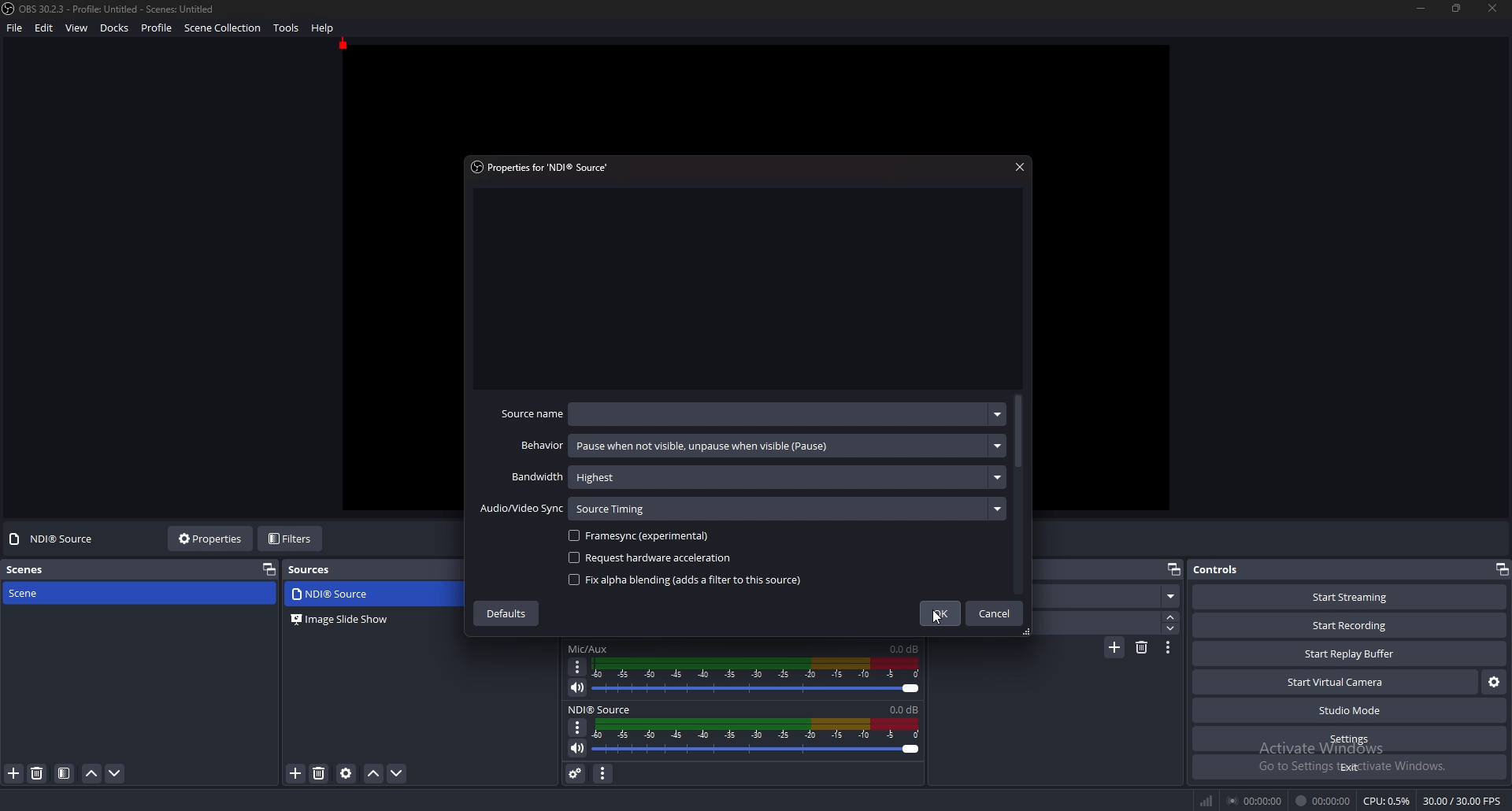 The image size is (1512, 811). What do you see at coordinates (268, 570) in the screenshot?
I see `pop out` at bounding box center [268, 570].